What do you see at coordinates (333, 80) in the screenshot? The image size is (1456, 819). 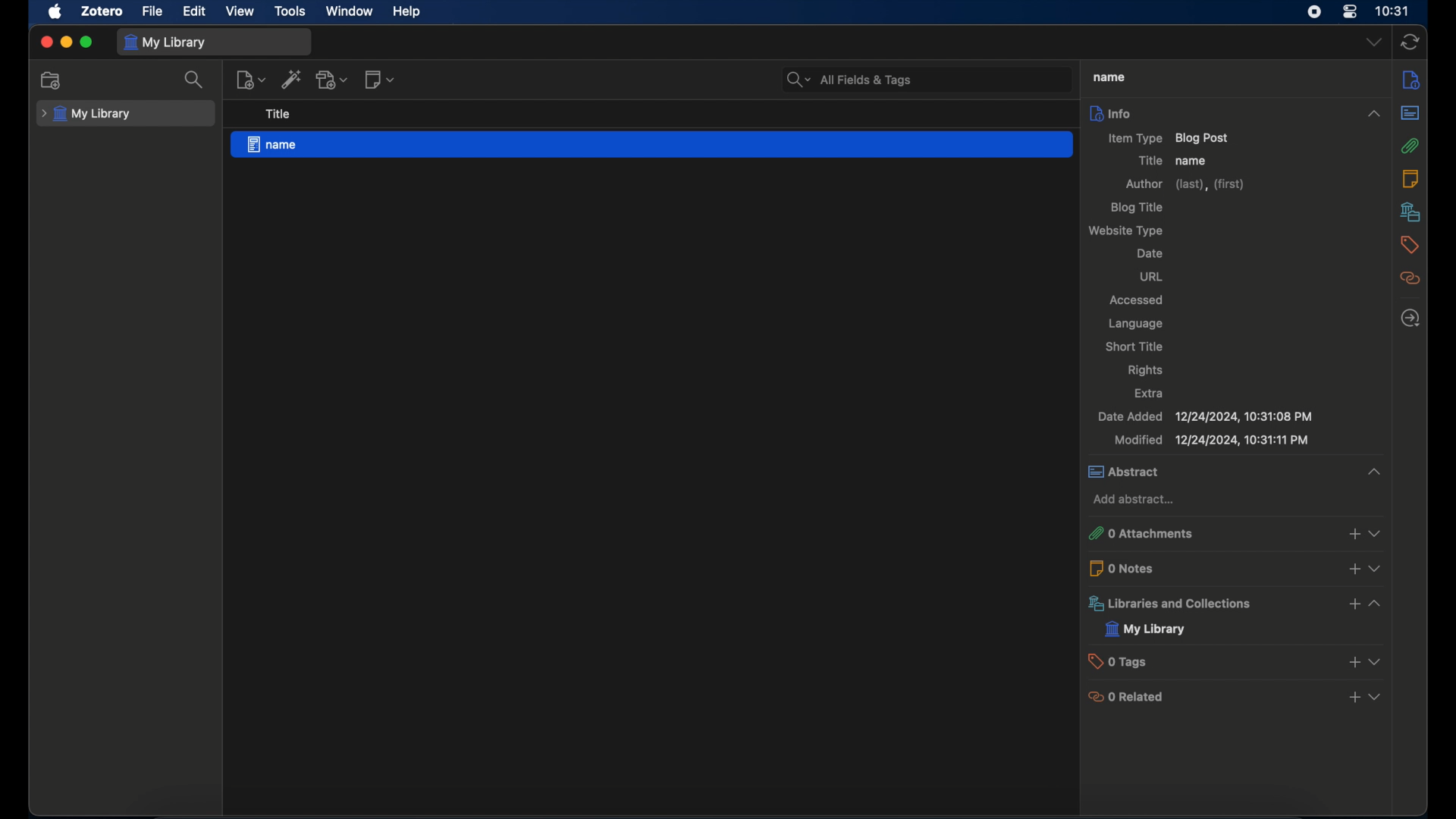 I see `add attachments` at bounding box center [333, 80].